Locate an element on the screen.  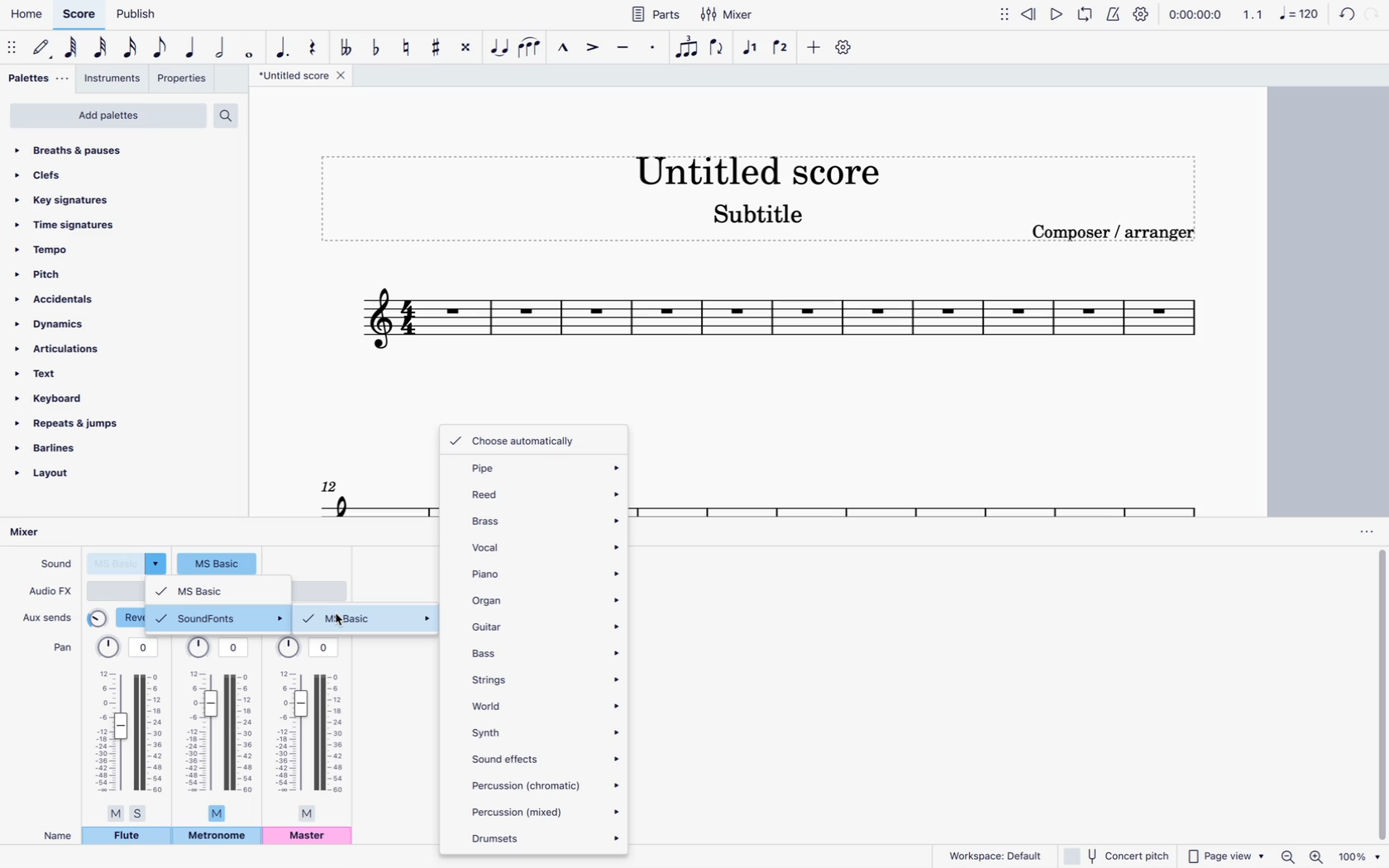
zoom in is located at coordinates (1318, 855).